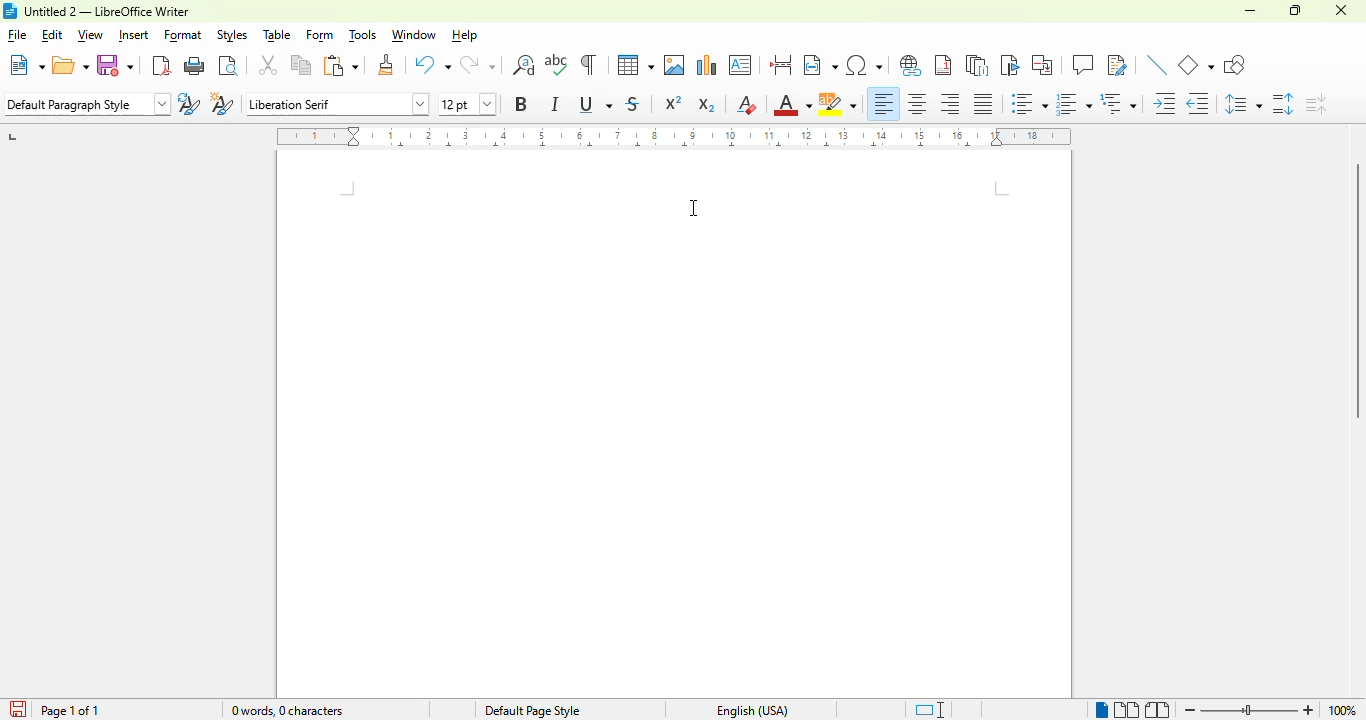 This screenshot has width=1366, height=720. I want to click on clear direct formatting, so click(747, 104).